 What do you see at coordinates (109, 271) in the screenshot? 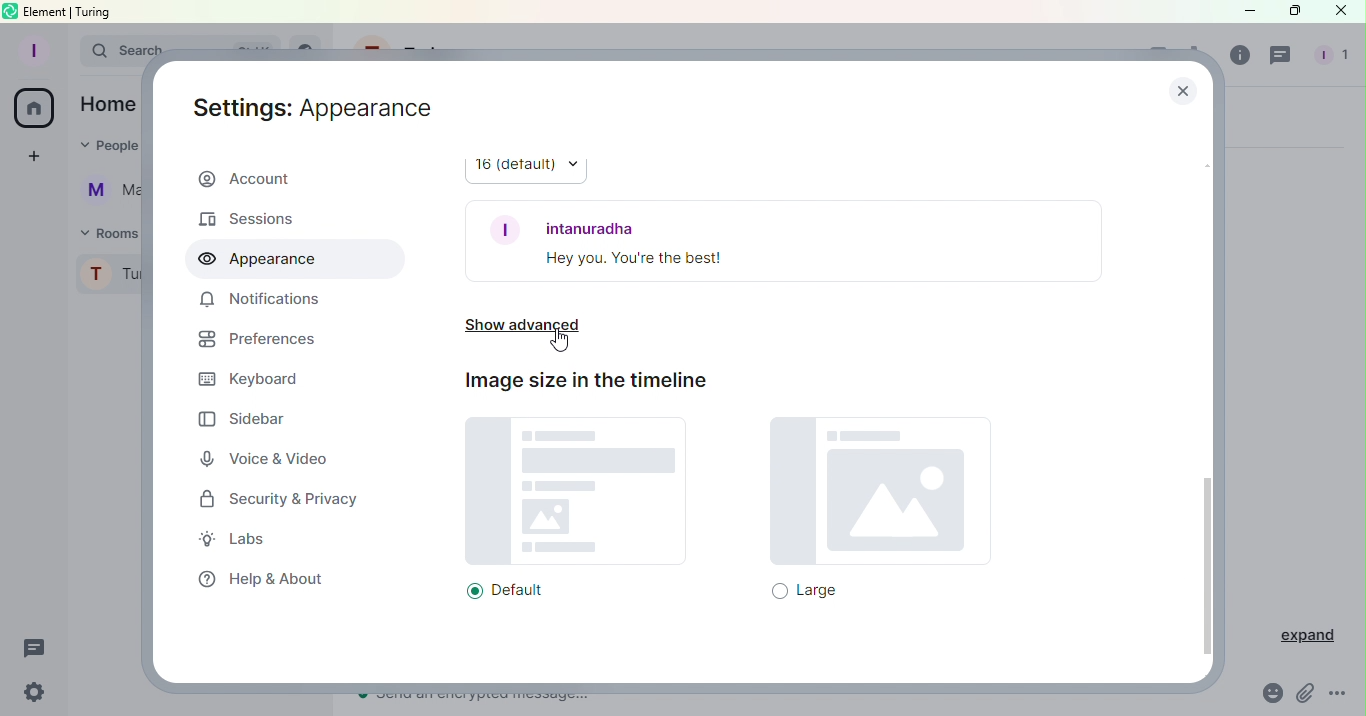
I see `Turing` at bounding box center [109, 271].